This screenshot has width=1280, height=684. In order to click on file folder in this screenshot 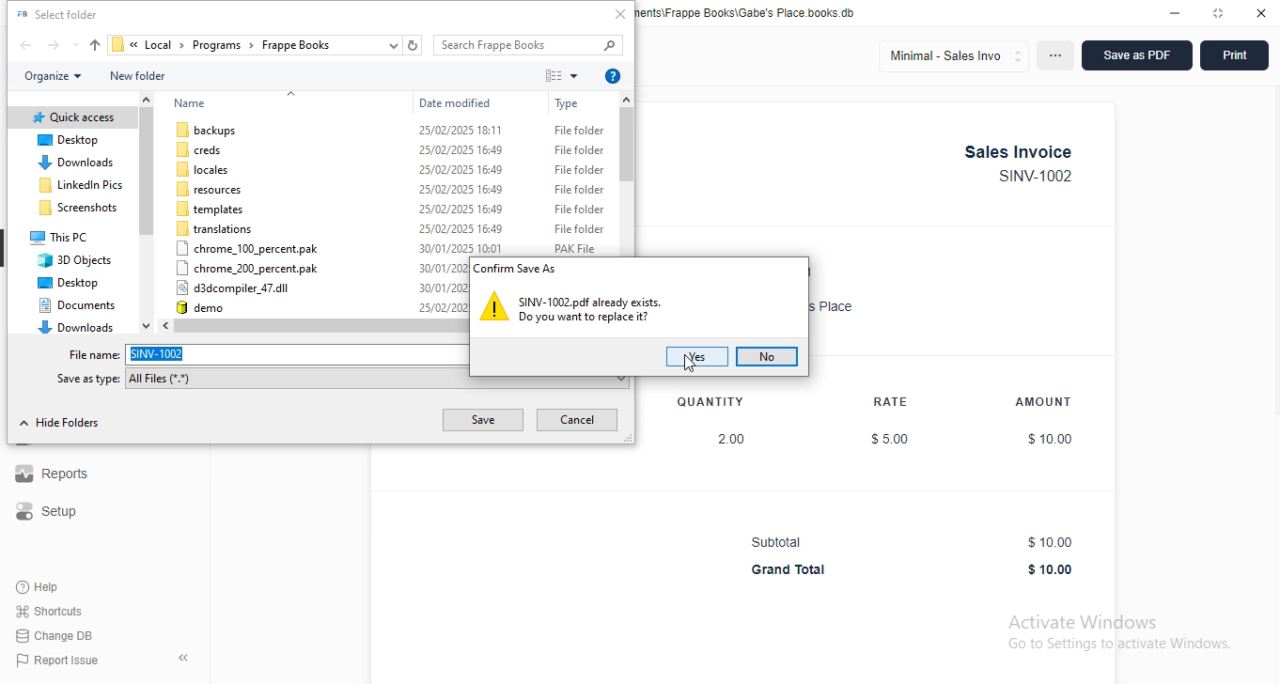, I will do `click(579, 229)`.